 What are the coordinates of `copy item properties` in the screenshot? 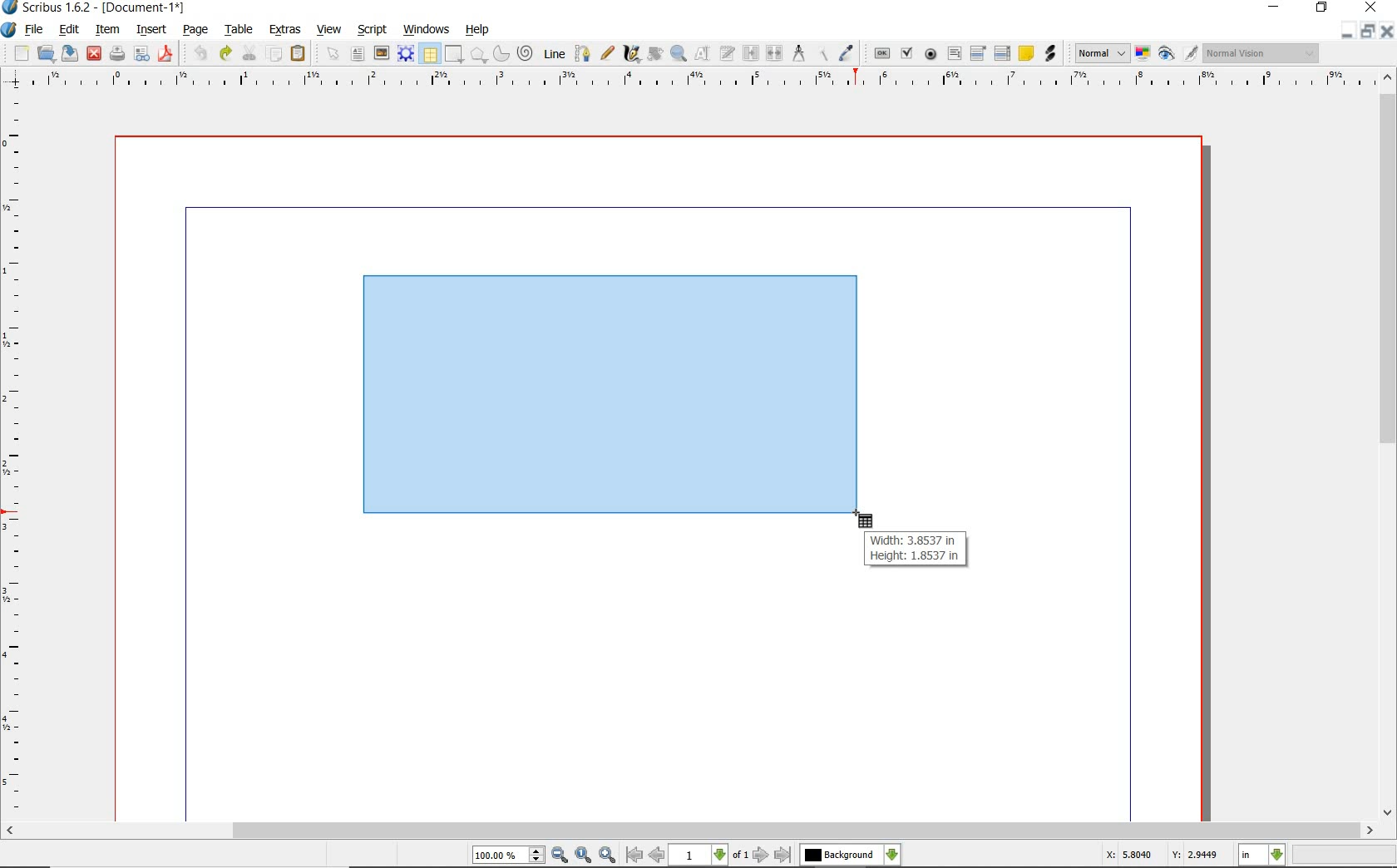 It's located at (822, 54).